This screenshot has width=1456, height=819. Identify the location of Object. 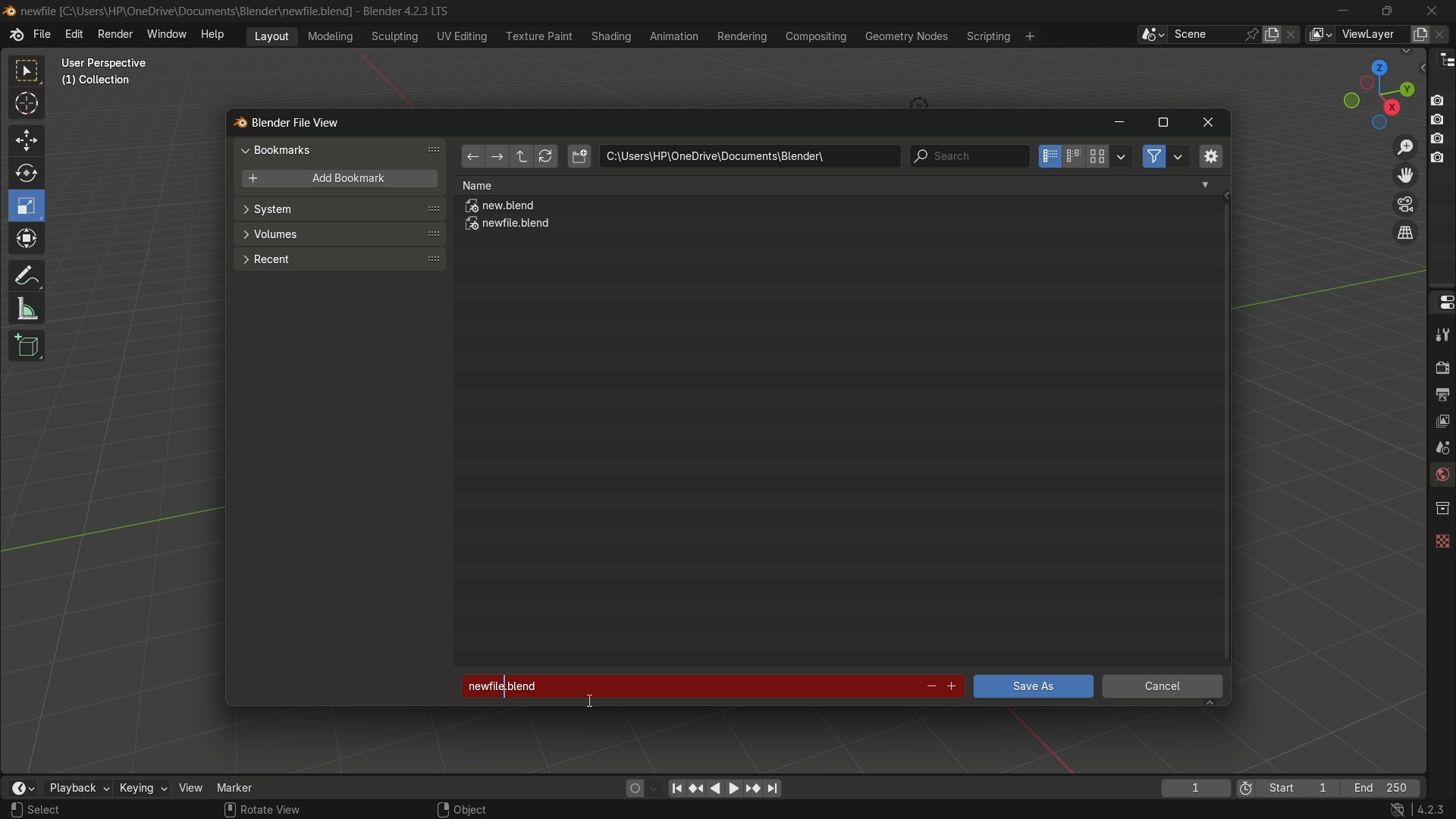
(480, 805).